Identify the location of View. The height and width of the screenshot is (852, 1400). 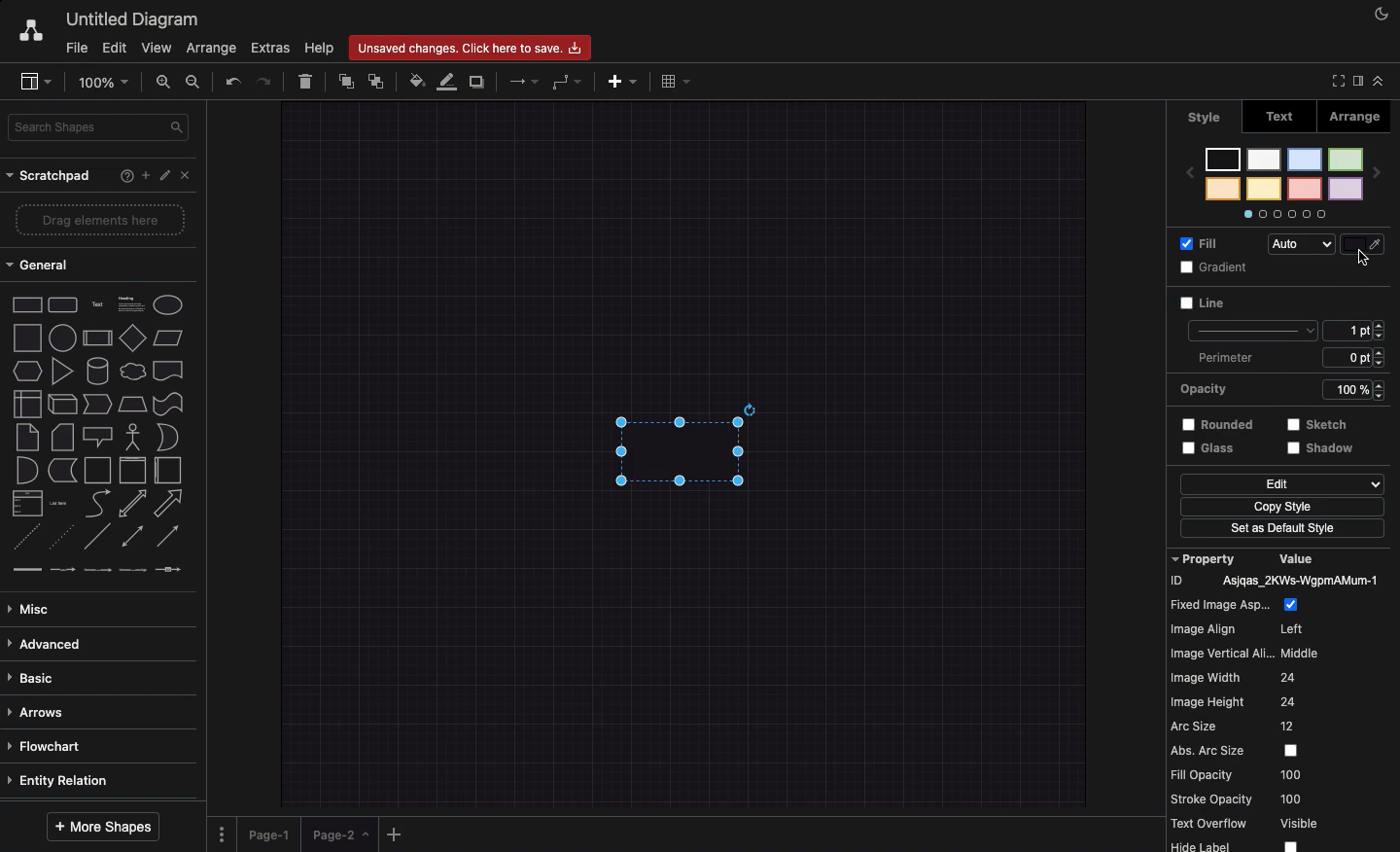
(158, 47).